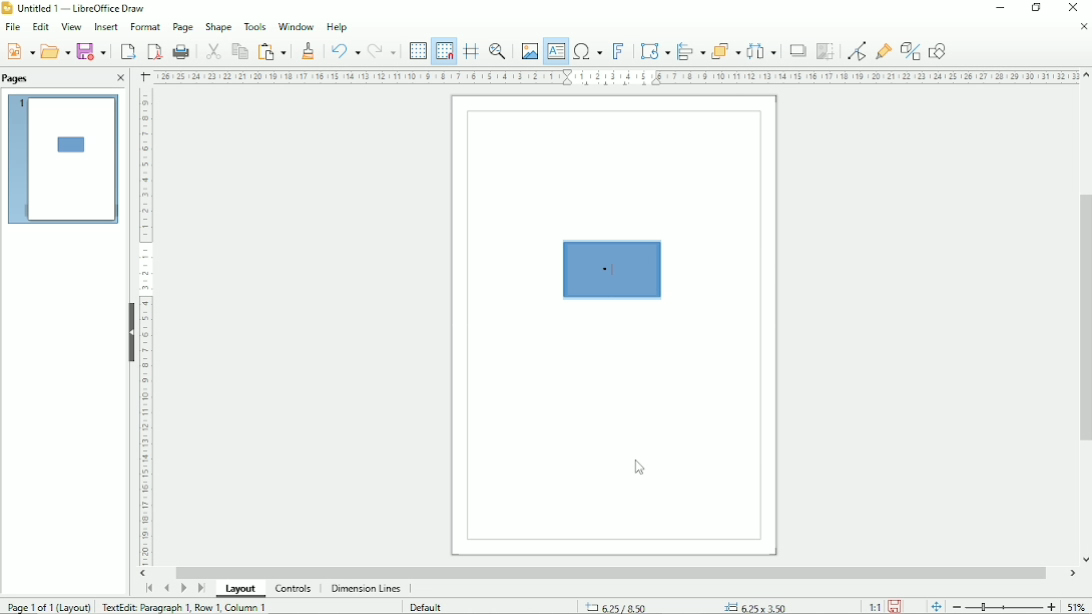  Describe the element at coordinates (587, 52) in the screenshot. I see `Insert special characters` at that location.